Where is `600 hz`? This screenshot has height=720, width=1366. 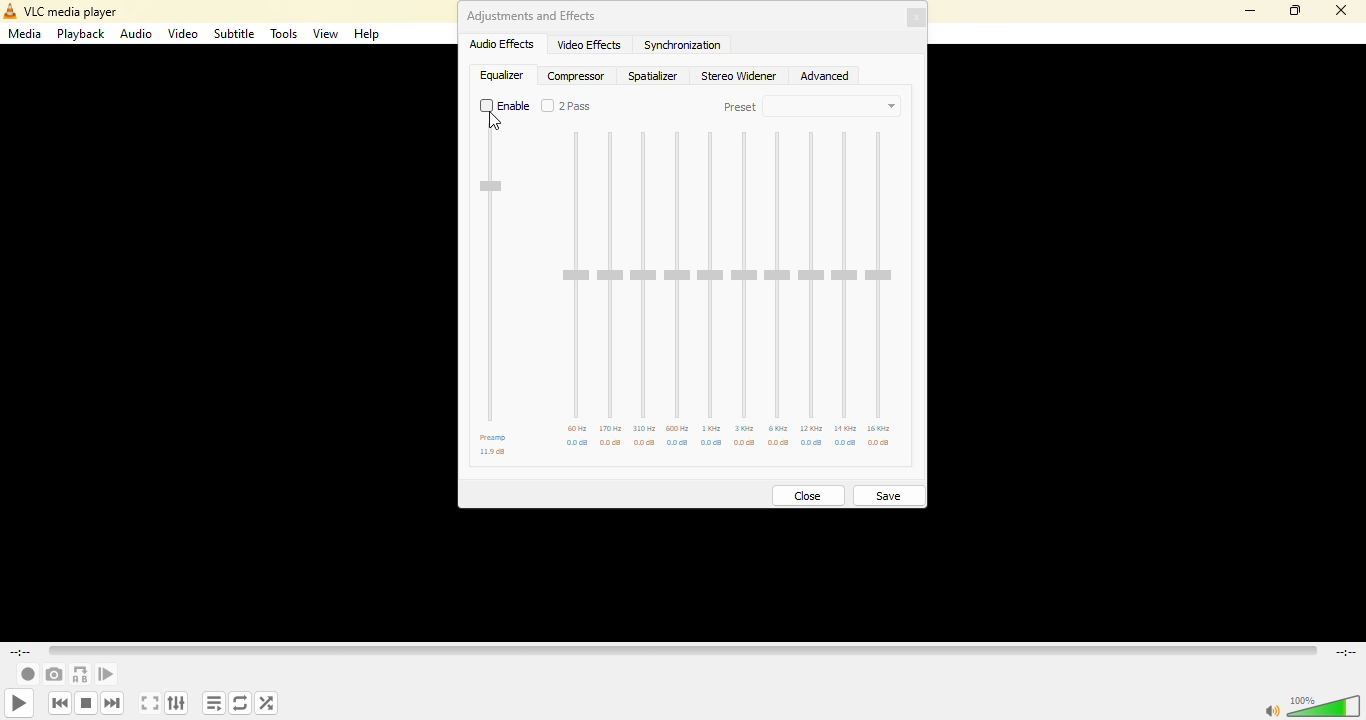 600 hz is located at coordinates (677, 428).